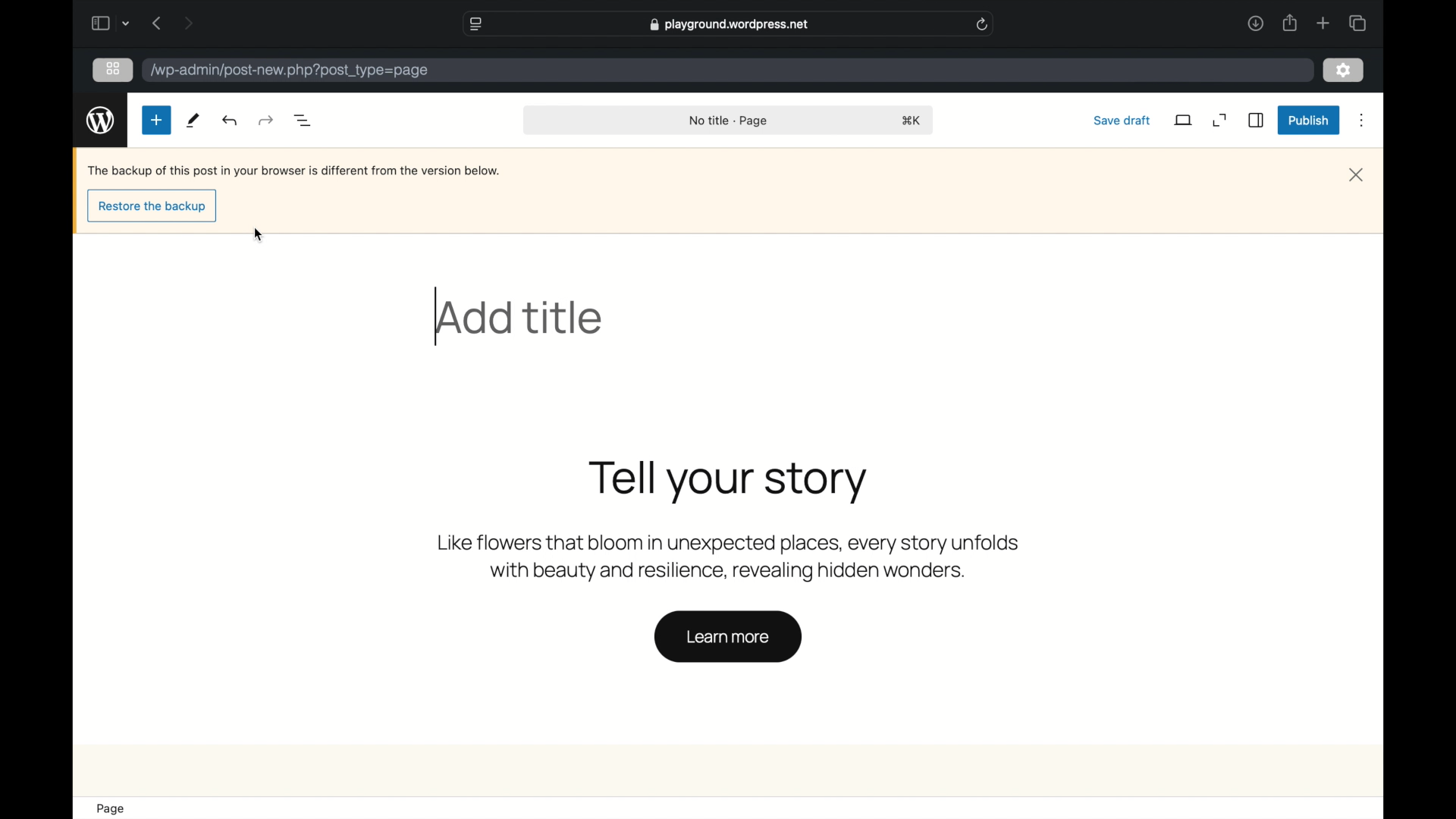  Describe the element at coordinates (101, 121) in the screenshot. I see `wordpress` at that location.